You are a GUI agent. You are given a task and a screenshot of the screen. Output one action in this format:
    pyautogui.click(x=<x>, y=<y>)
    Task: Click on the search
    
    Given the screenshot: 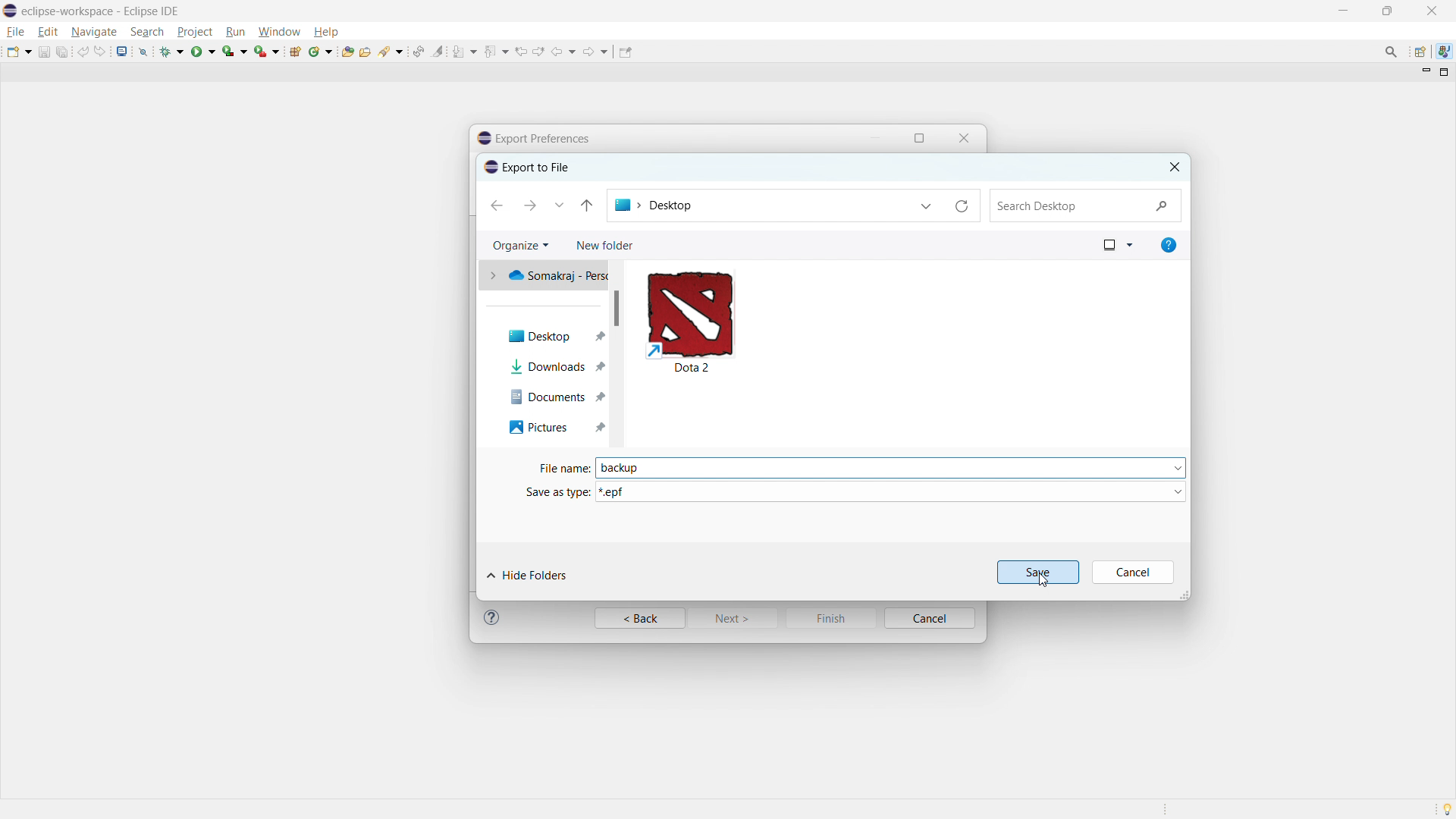 What is the action you would take?
    pyautogui.click(x=391, y=50)
    